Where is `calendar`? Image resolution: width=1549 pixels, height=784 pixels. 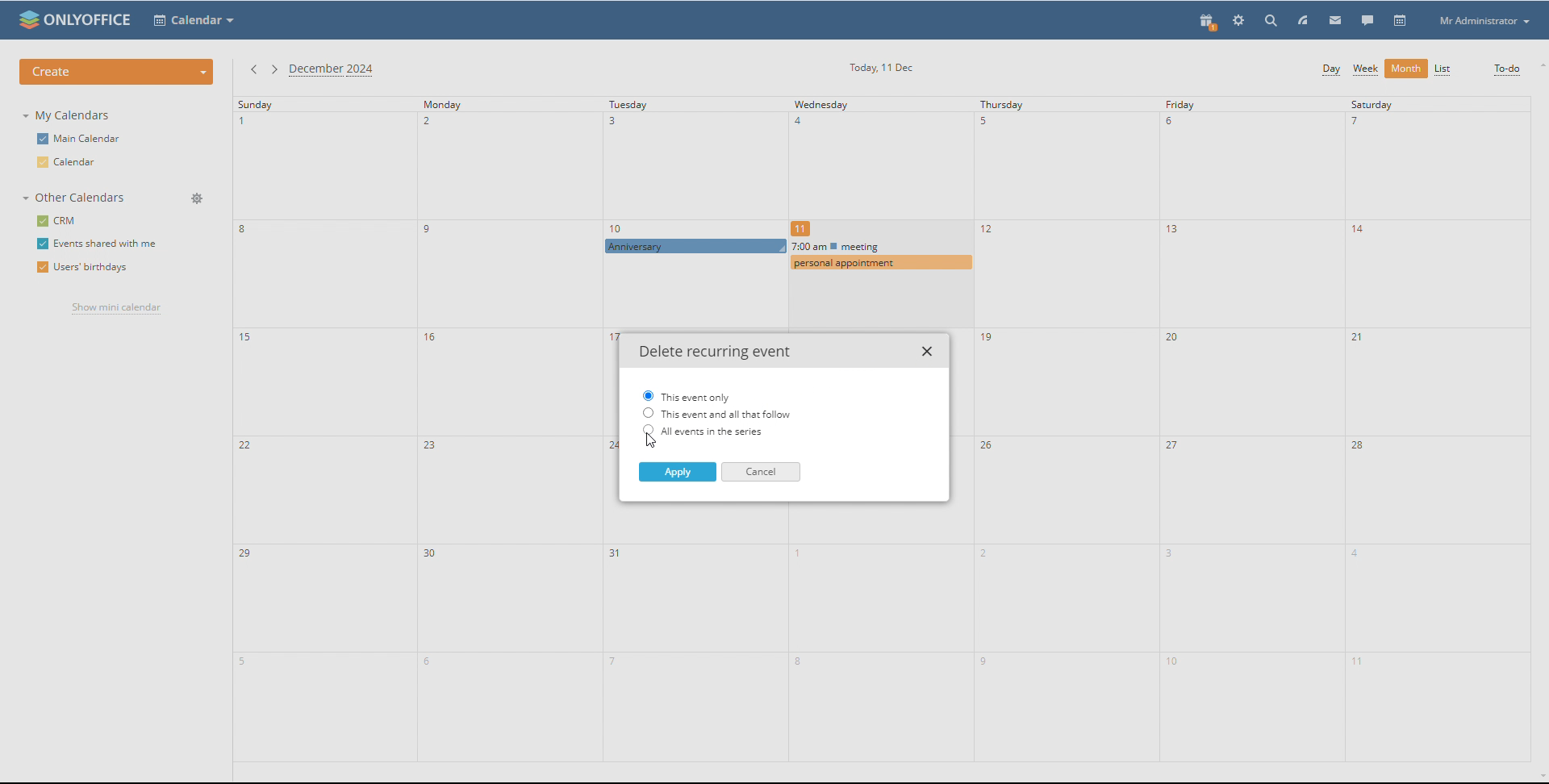 calendar is located at coordinates (1401, 21).